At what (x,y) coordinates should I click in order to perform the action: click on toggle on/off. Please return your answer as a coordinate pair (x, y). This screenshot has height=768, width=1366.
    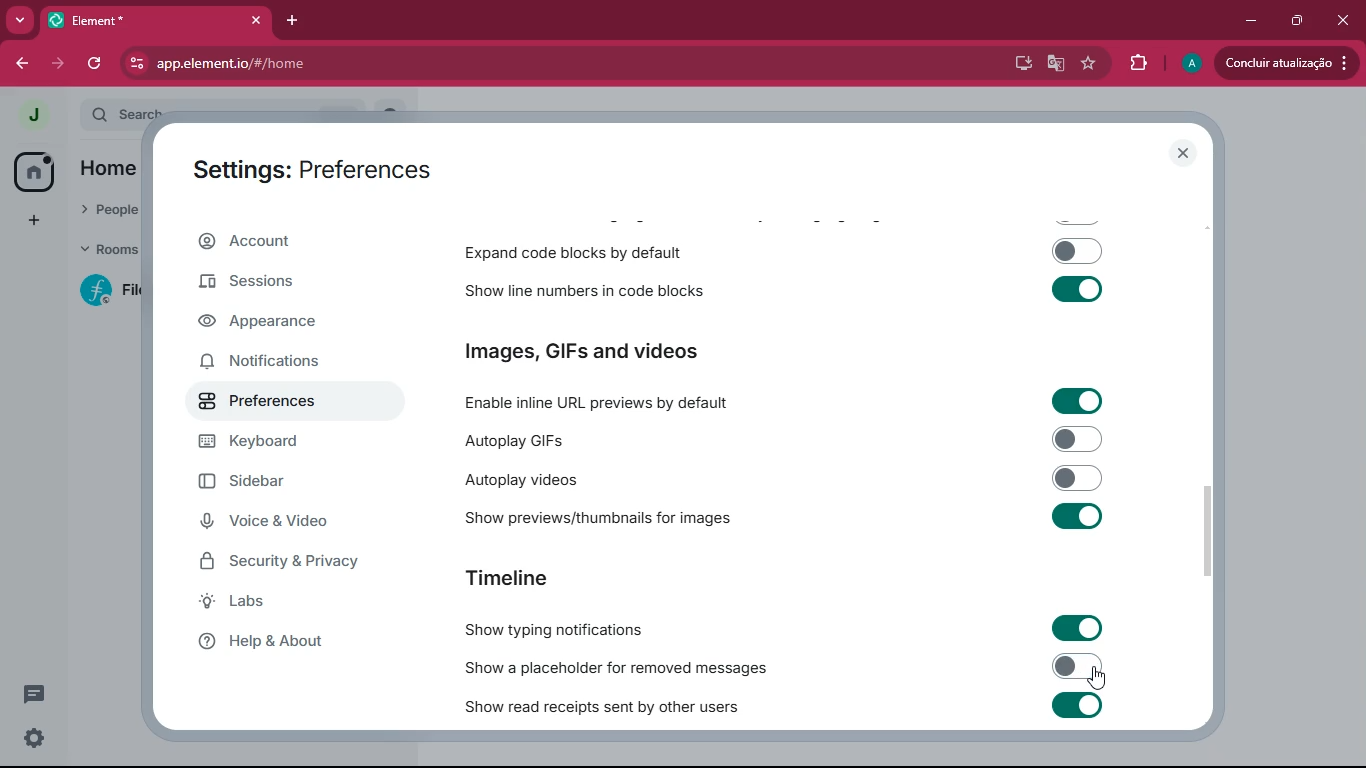
    Looking at the image, I should click on (1079, 438).